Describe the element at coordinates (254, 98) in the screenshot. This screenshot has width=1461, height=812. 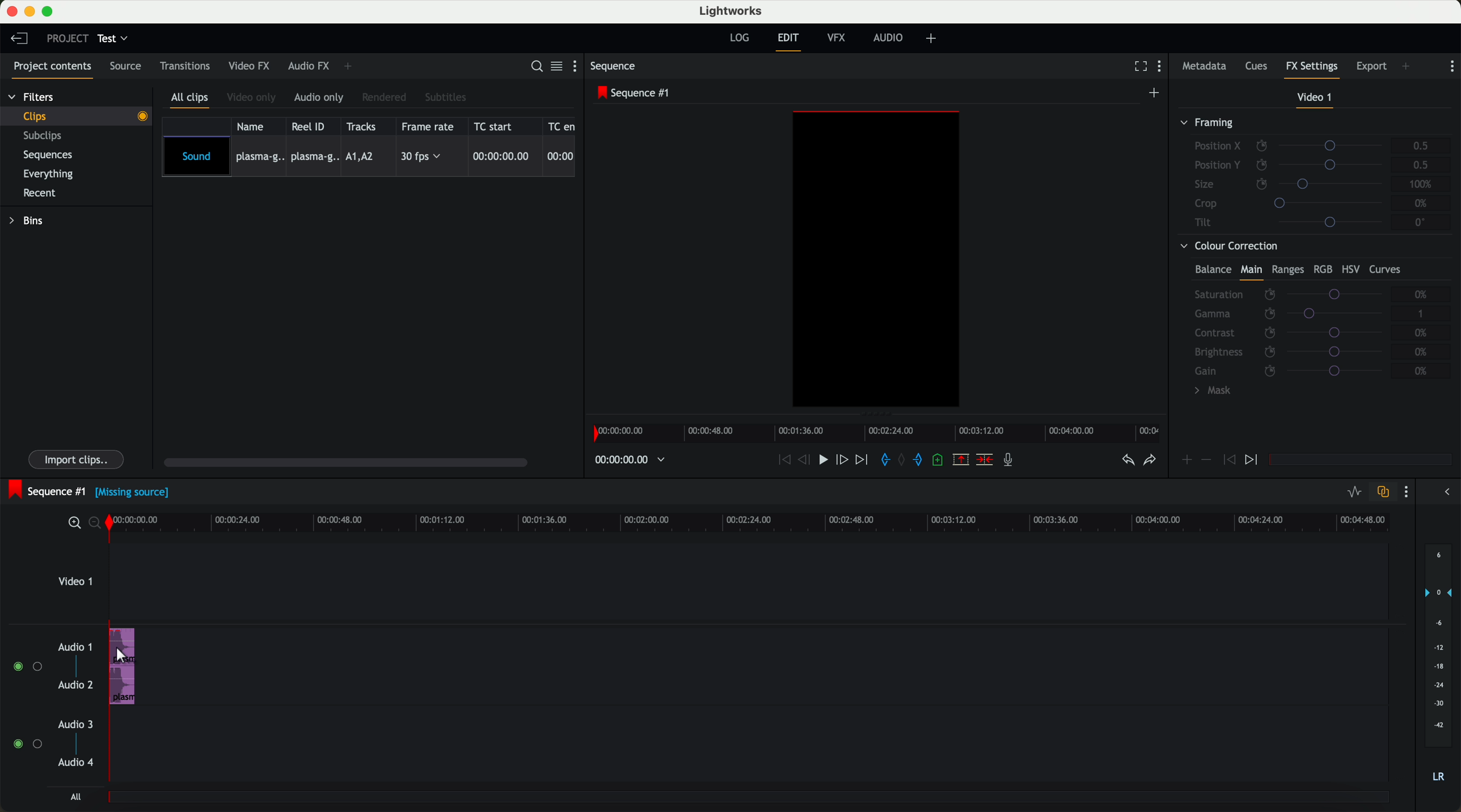
I see `video only` at that location.